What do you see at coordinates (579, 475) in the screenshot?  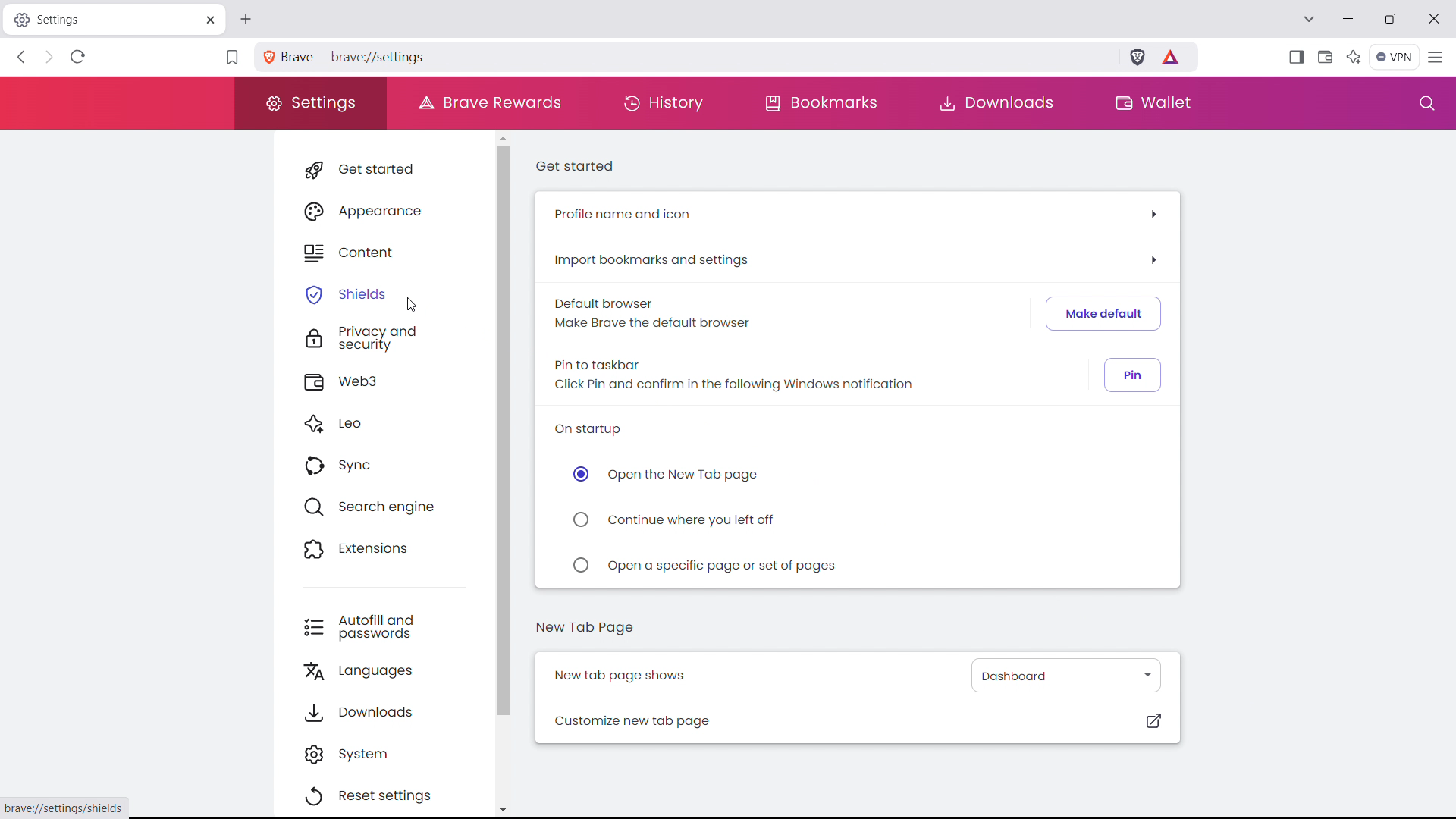 I see `Radio button` at bounding box center [579, 475].